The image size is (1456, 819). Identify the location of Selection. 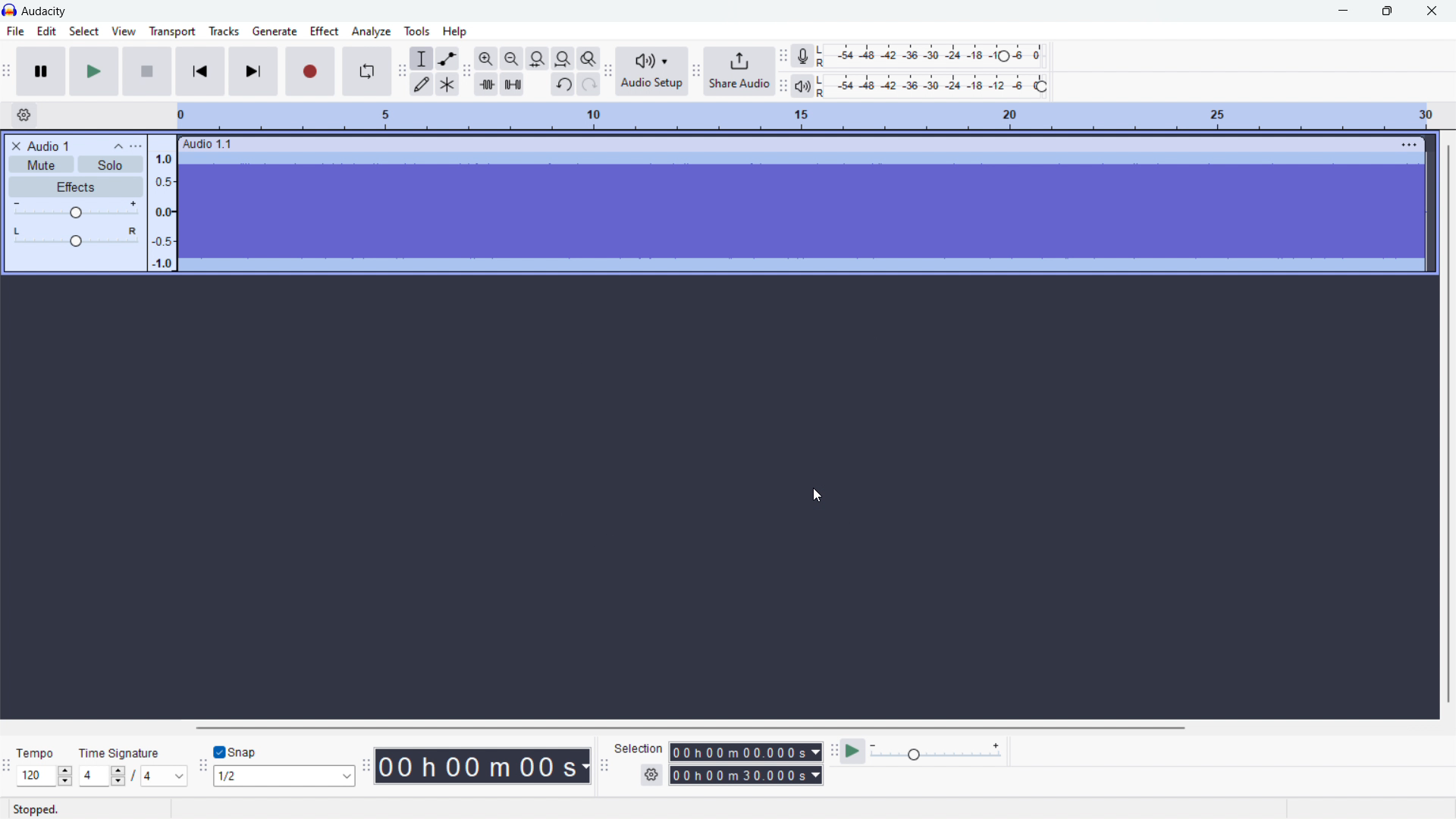
(639, 750).